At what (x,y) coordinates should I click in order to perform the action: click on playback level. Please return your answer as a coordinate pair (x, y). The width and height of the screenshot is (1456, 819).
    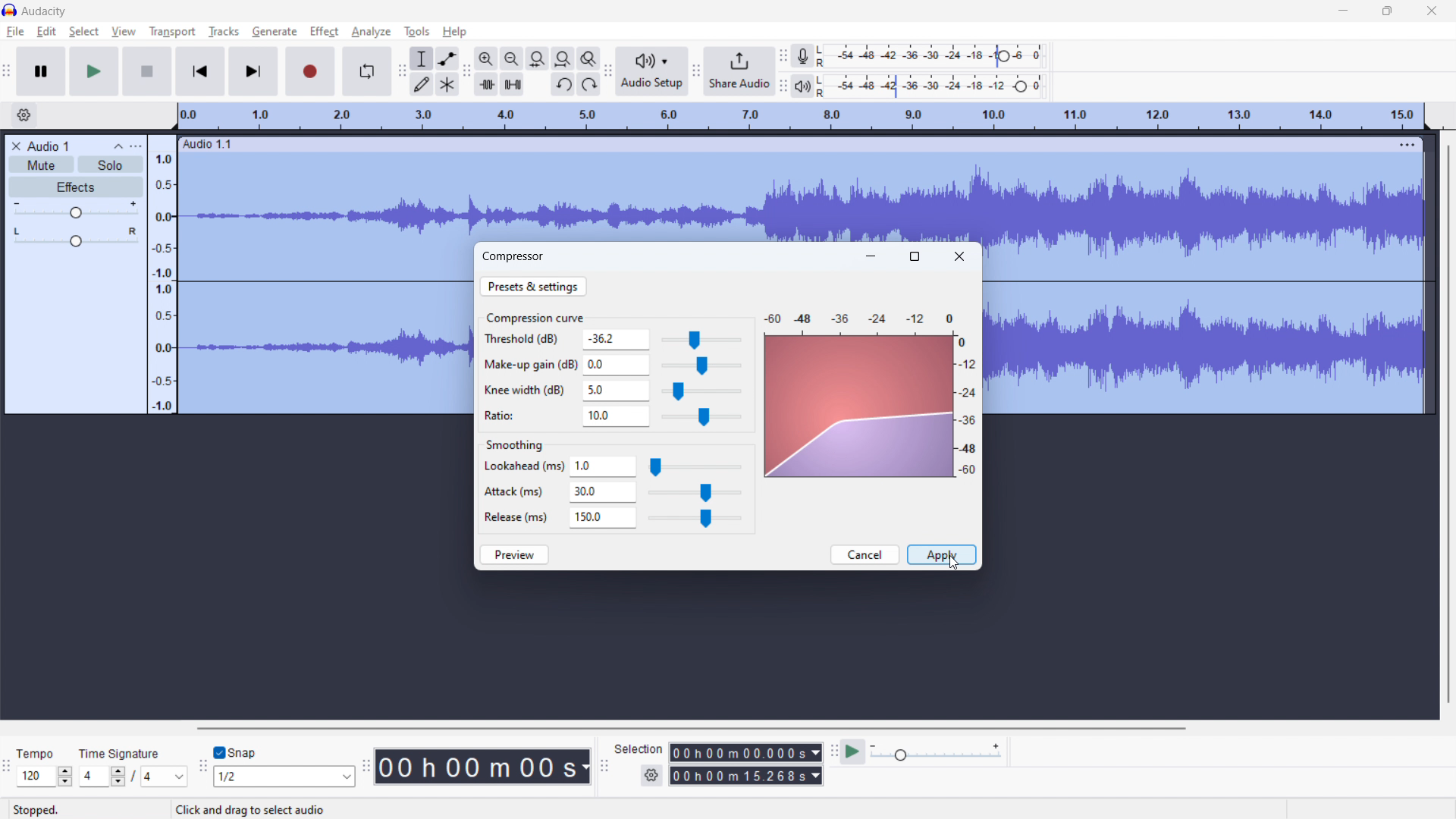
    Looking at the image, I should click on (940, 87).